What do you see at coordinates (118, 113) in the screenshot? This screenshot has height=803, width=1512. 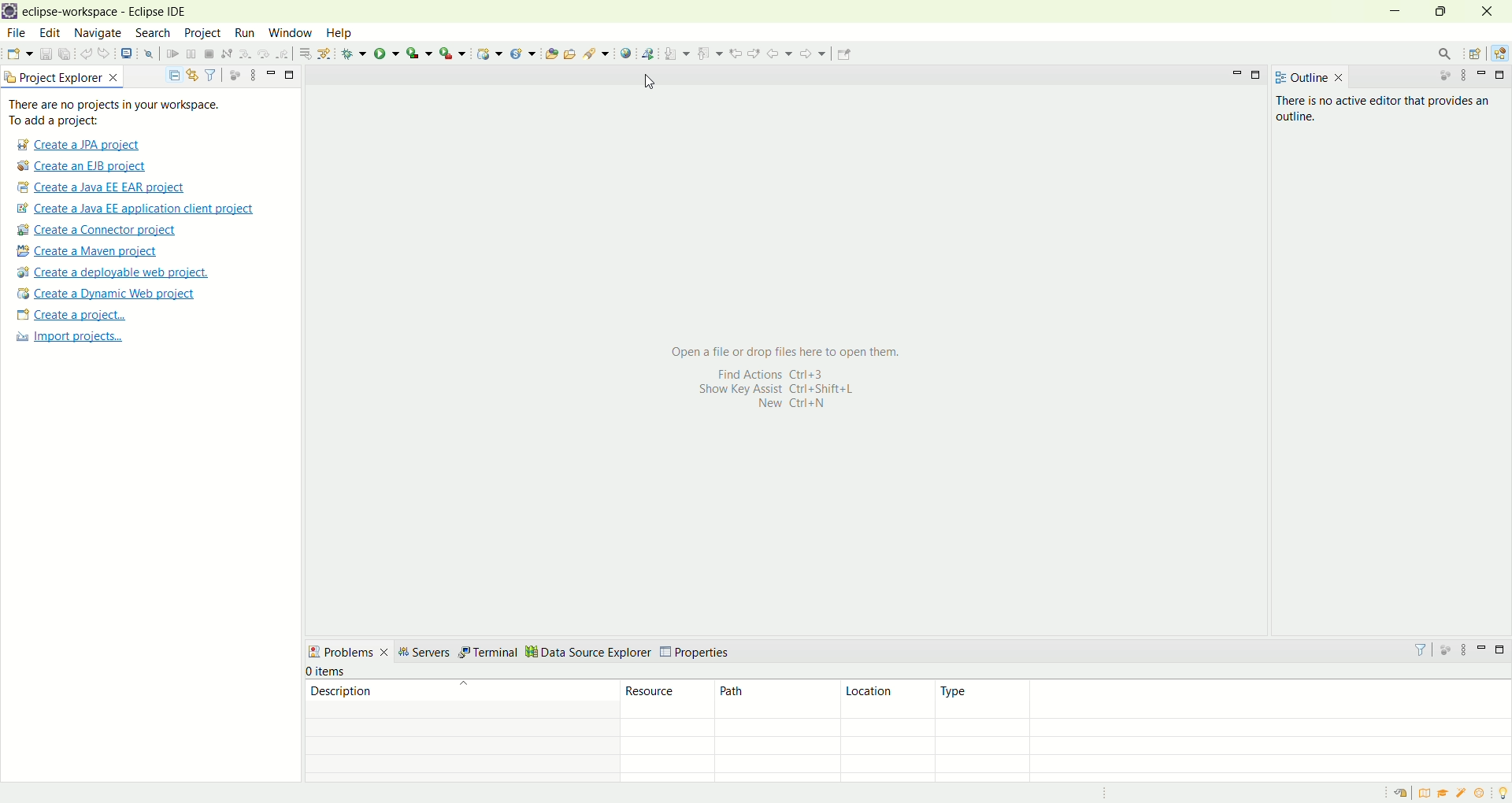 I see `There are no projects in your workspace. To add a project:` at bounding box center [118, 113].